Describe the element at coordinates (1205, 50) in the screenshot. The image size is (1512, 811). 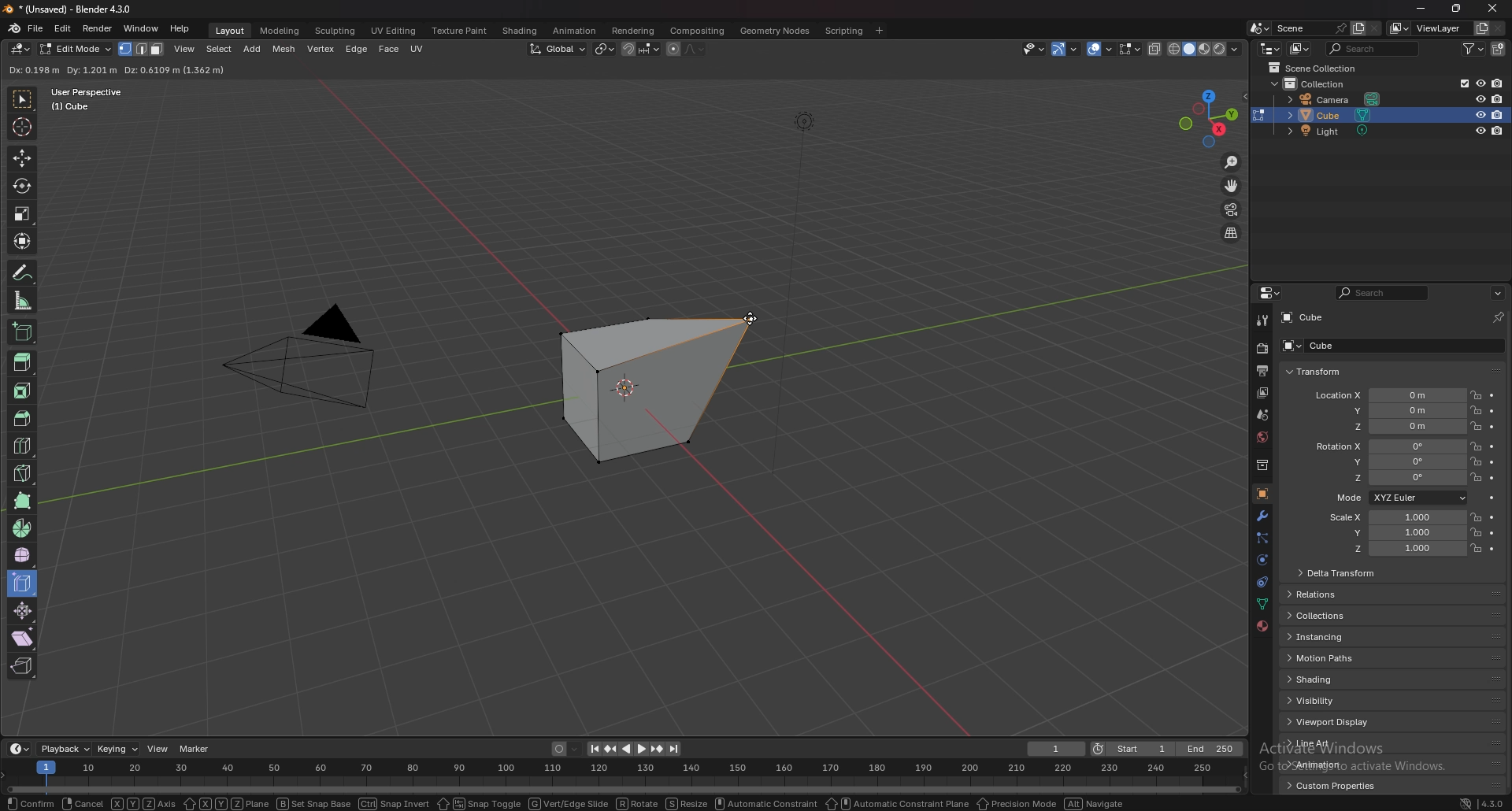
I see `viewport shading` at that location.